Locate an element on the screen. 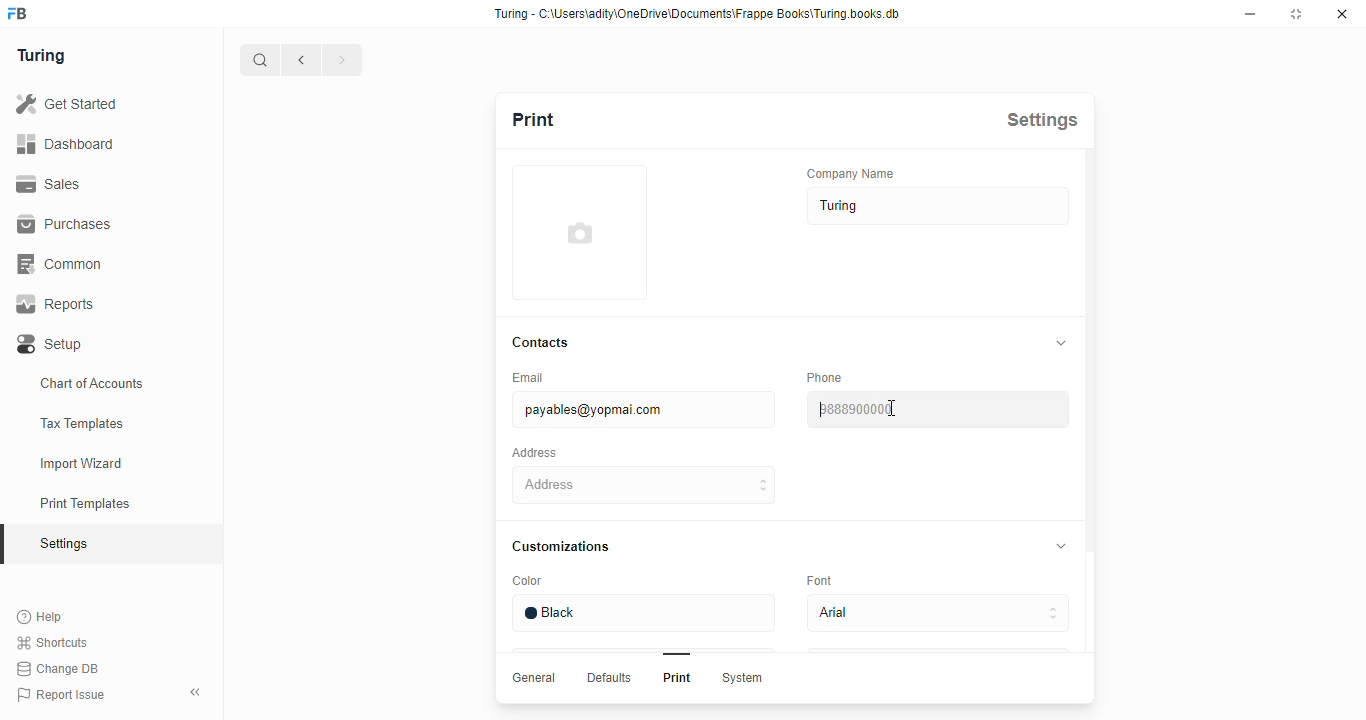 This screenshot has height=720, width=1366. Print Templates is located at coordinates (93, 504).